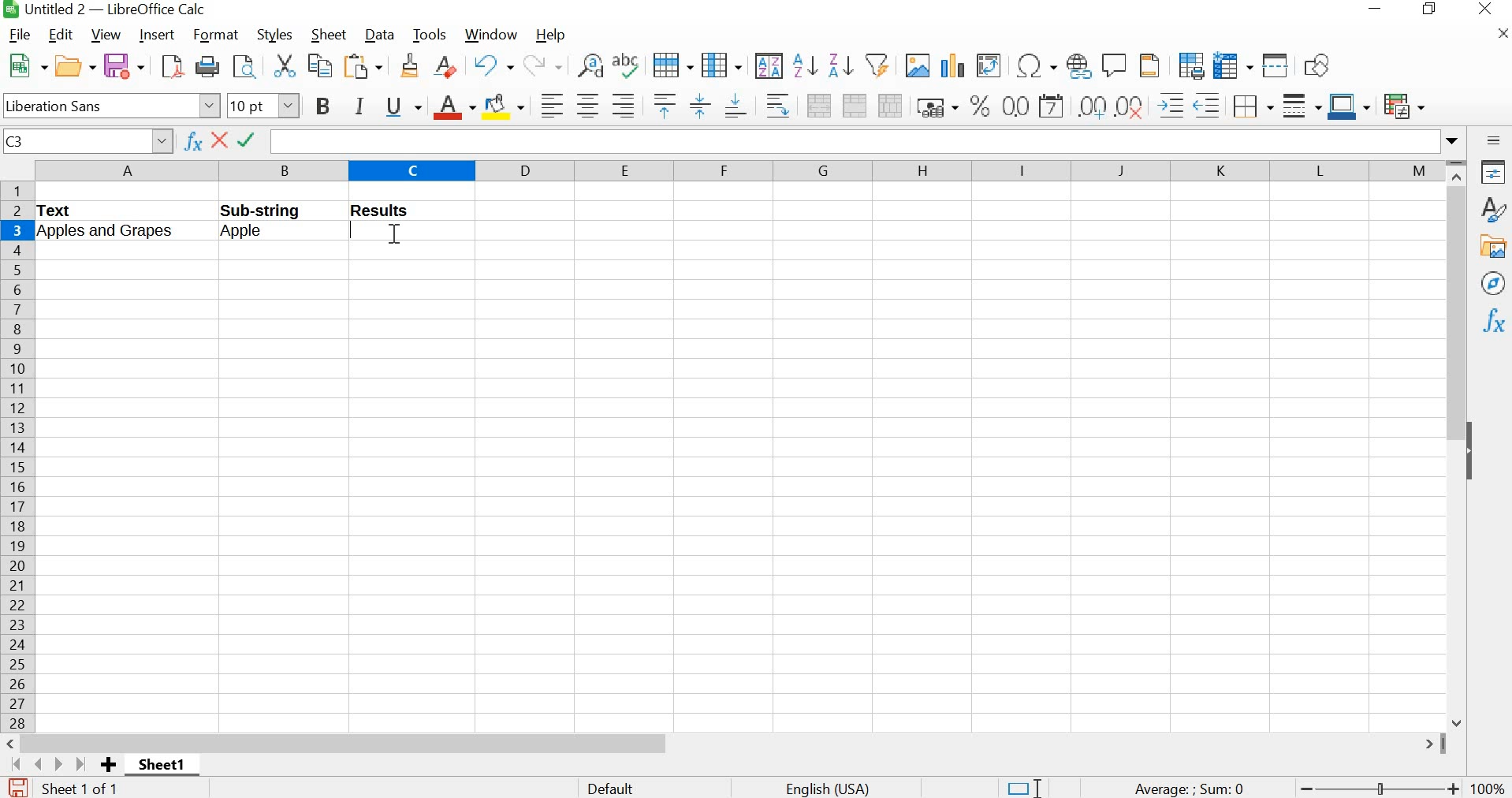 This screenshot has width=1512, height=798. What do you see at coordinates (768, 65) in the screenshot?
I see `sort` at bounding box center [768, 65].